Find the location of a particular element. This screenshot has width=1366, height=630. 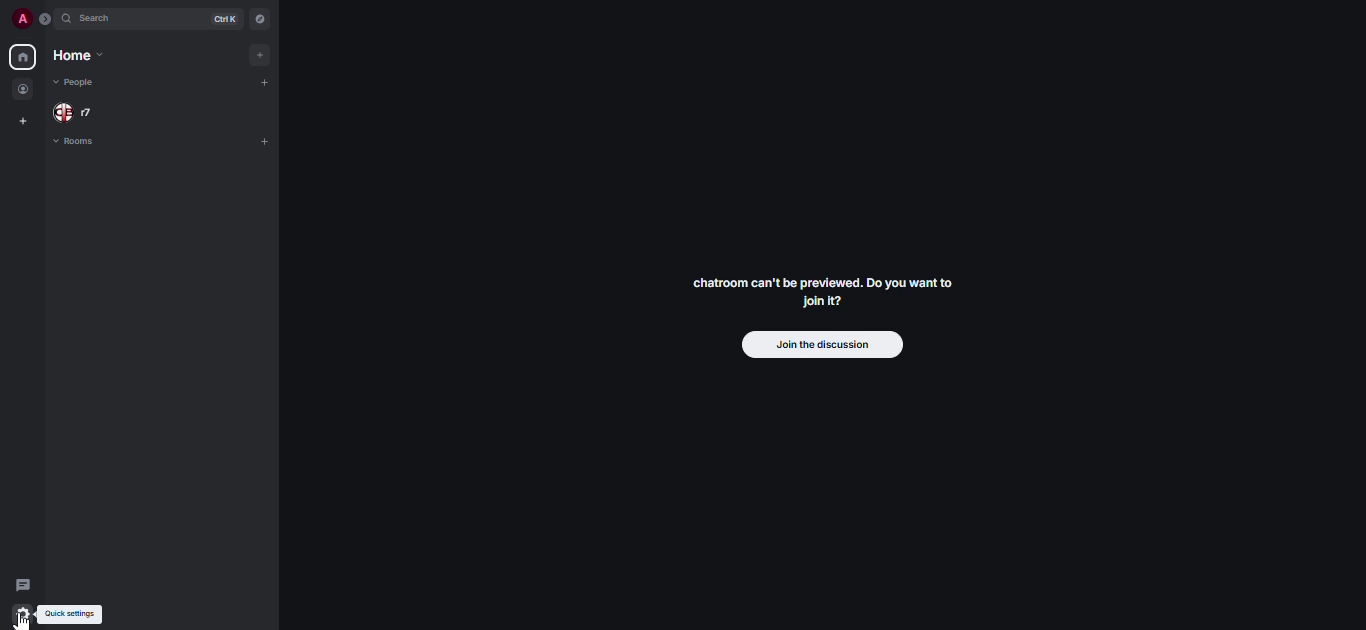

add is located at coordinates (263, 143).